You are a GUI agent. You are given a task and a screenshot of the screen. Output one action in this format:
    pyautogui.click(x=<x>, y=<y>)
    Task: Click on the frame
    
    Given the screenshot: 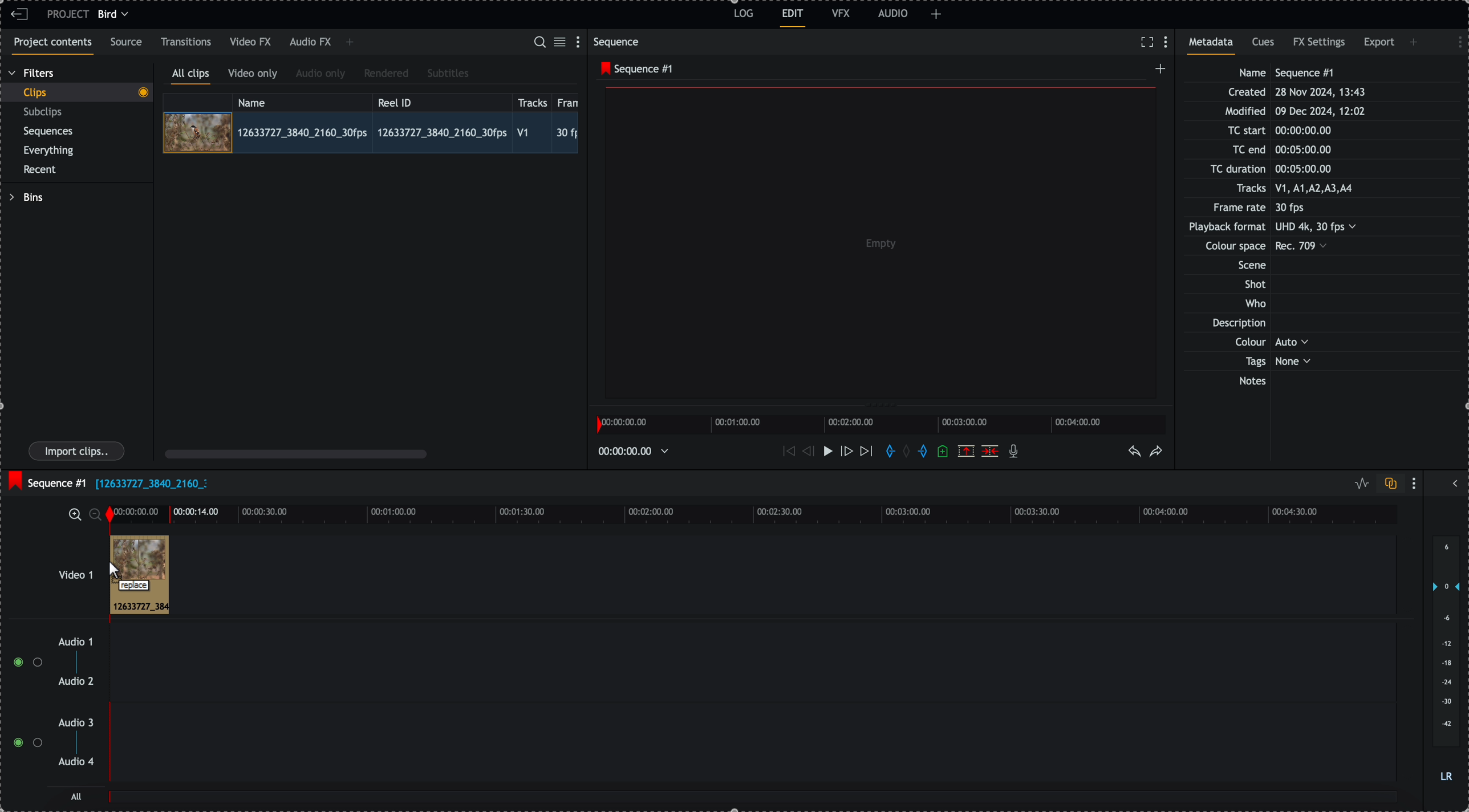 What is the action you would take?
    pyautogui.click(x=570, y=101)
    